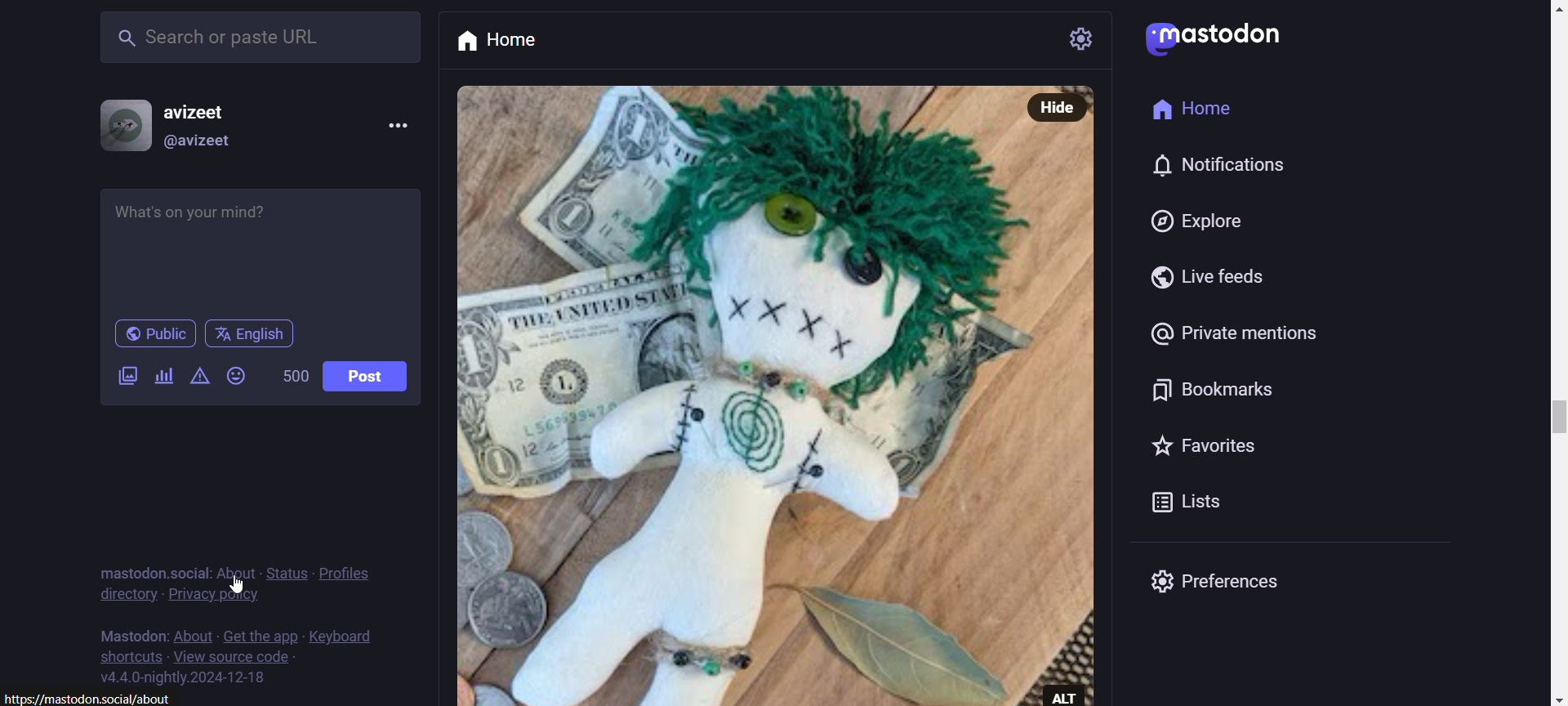  What do you see at coordinates (395, 124) in the screenshot?
I see `menu` at bounding box center [395, 124].